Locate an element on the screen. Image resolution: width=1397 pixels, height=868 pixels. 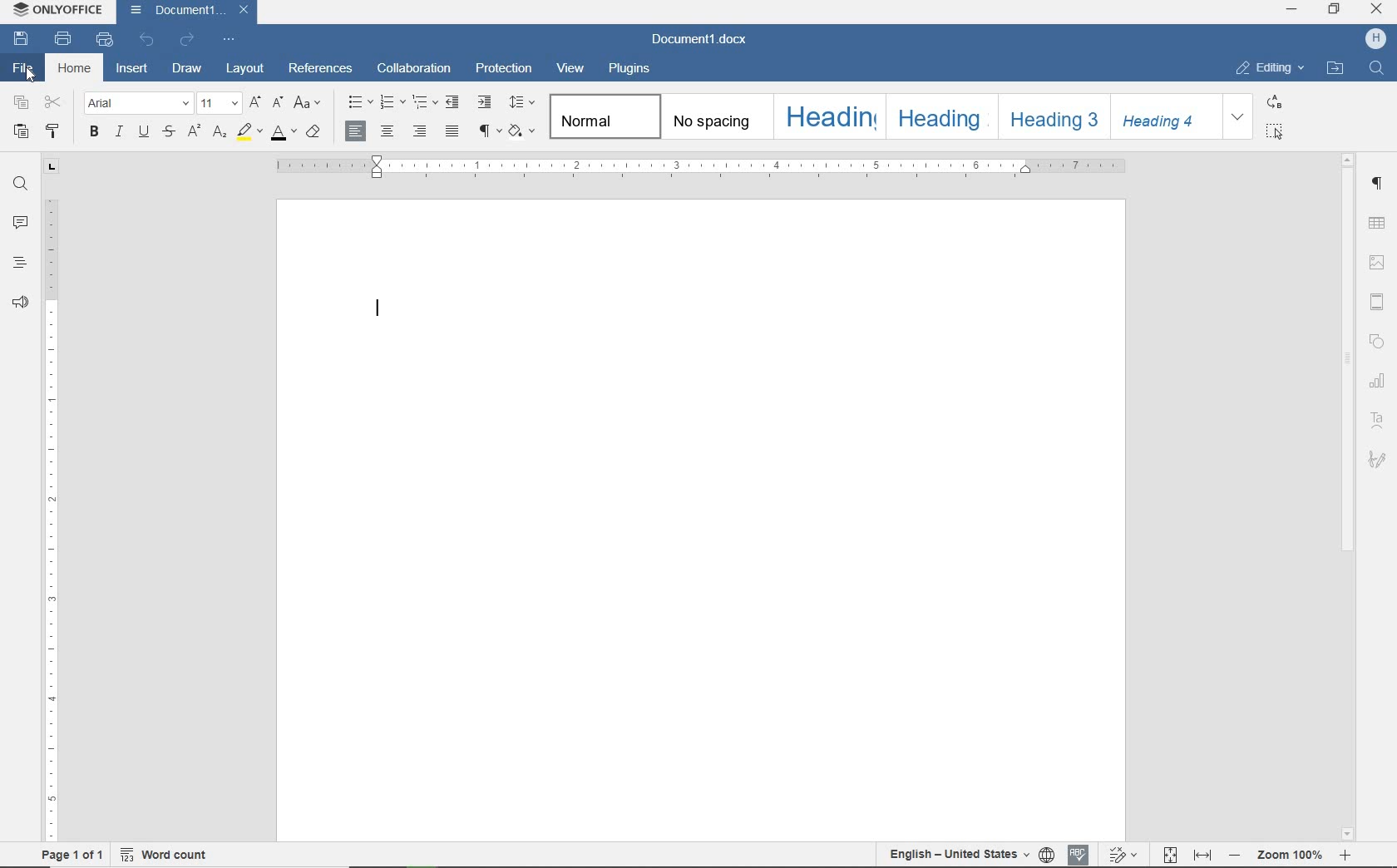
align center is located at coordinates (388, 131).